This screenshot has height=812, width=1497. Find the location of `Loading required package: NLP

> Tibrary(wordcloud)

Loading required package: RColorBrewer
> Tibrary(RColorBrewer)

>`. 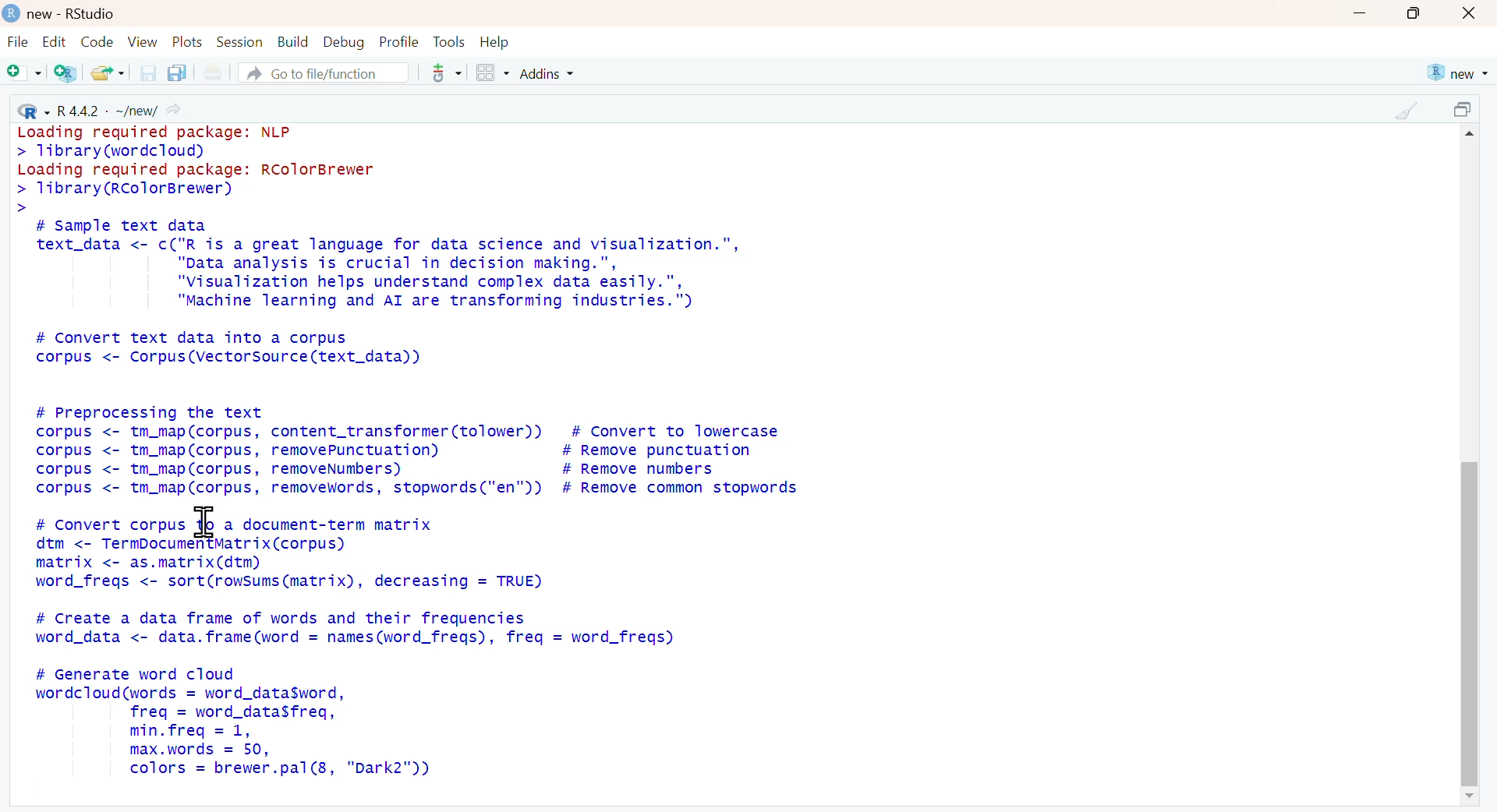

Loading required package: NLP

> Tibrary(wordcloud)

Loading required package: RColorBrewer
> Tibrary(RColorBrewer)

> is located at coordinates (206, 168).